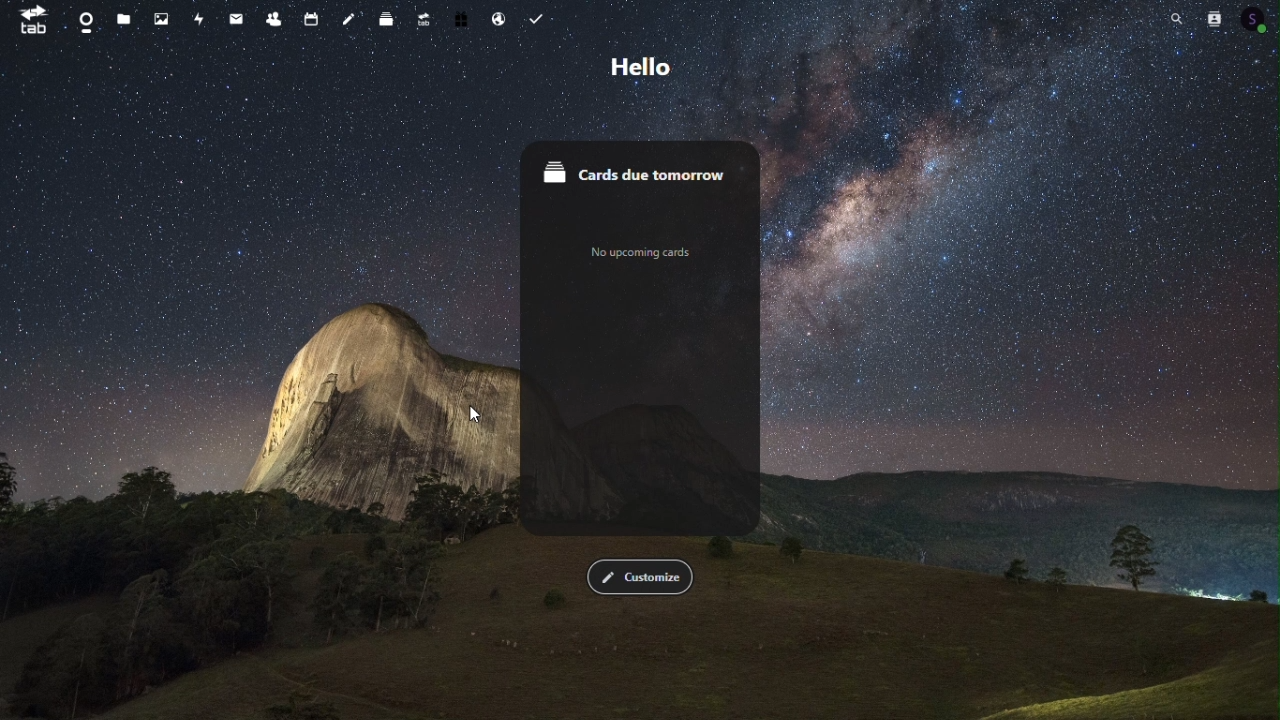 The image size is (1280, 720). I want to click on upgrade, so click(420, 17).